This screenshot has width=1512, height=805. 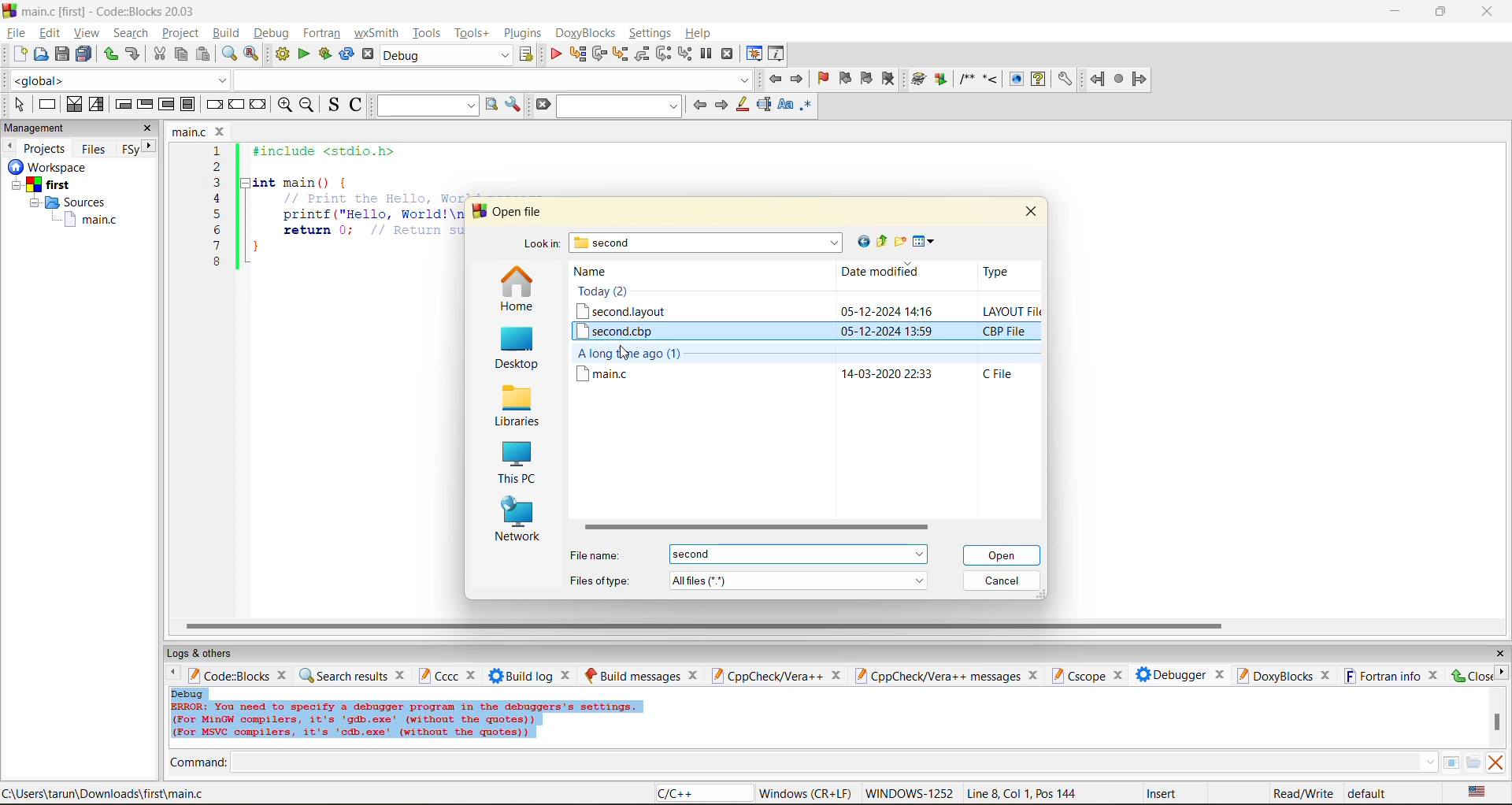 What do you see at coordinates (406, 721) in the screenshot?
I see `Error info` at bounding box center [406, 721].